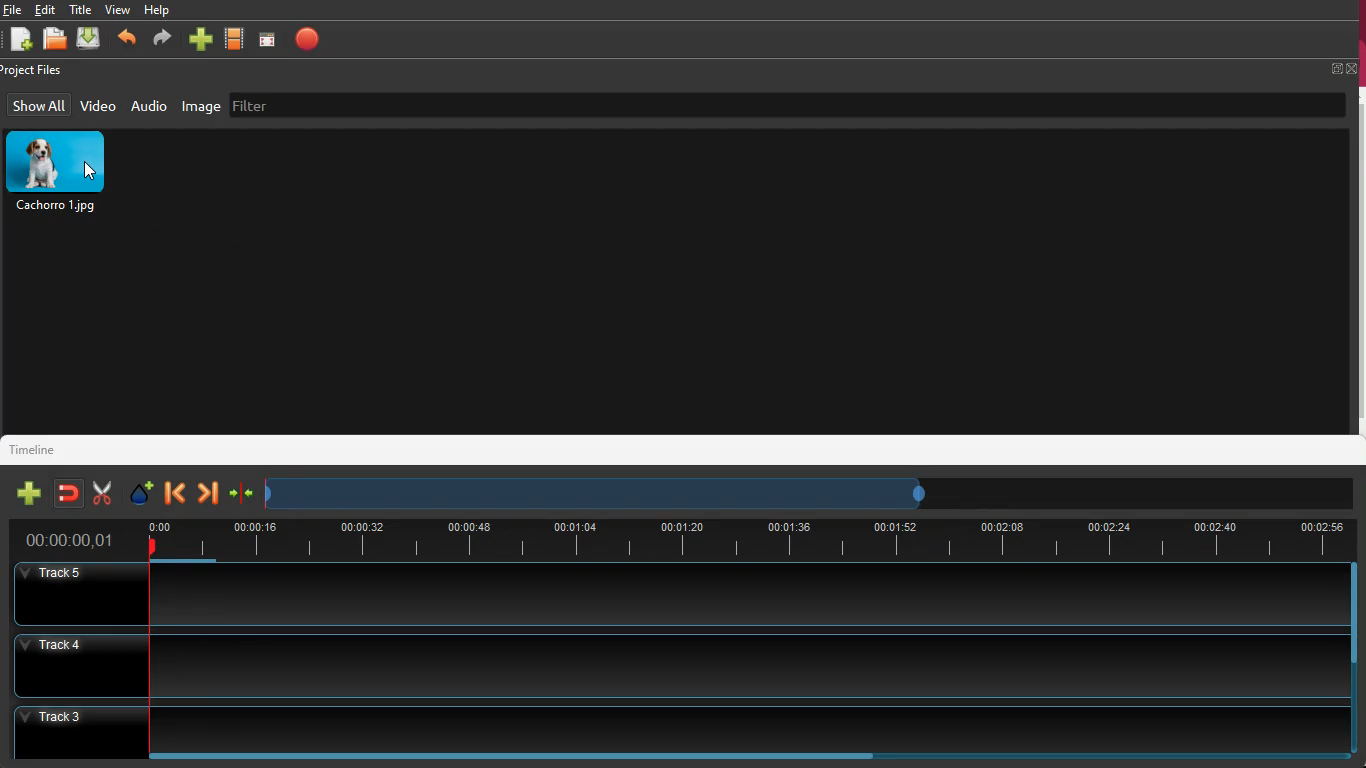 The width and height of the screenshot is (1366, 768). Describe the element at coordinates (202, 106) in the screenshot. I see `image` at that location.